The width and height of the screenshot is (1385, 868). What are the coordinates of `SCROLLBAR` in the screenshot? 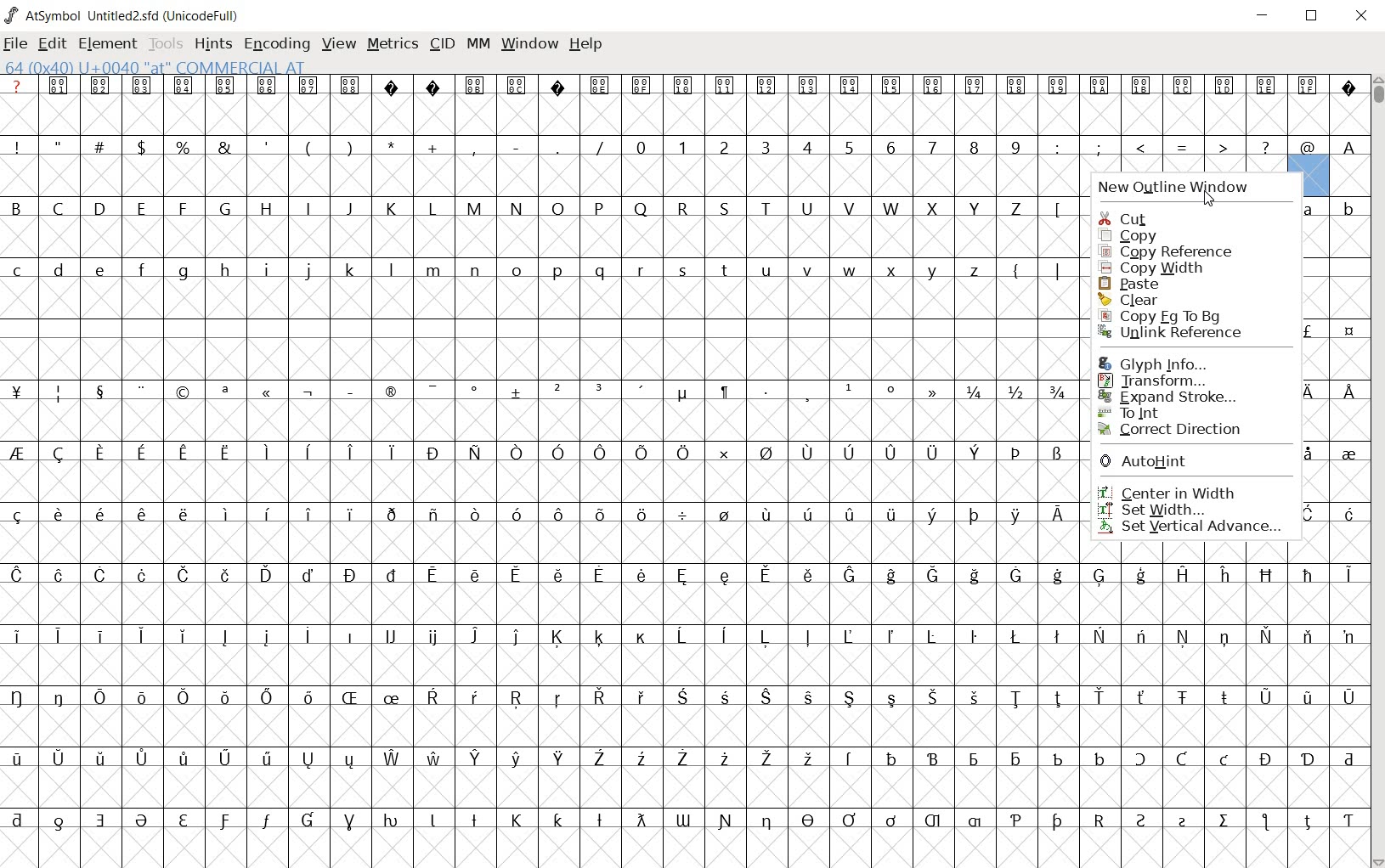 It's located at (1377, 472).